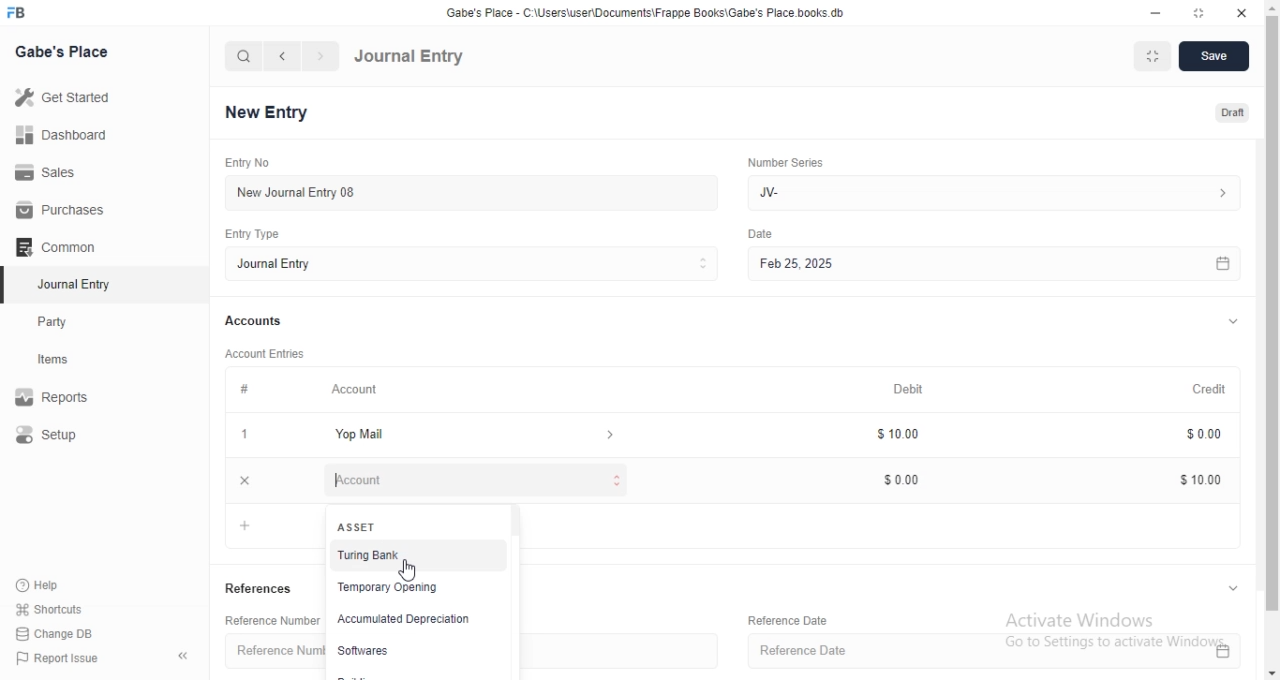 The height and width of the screenshot is (680, 1280). I want to click on Reference Number, so click(266, 622).